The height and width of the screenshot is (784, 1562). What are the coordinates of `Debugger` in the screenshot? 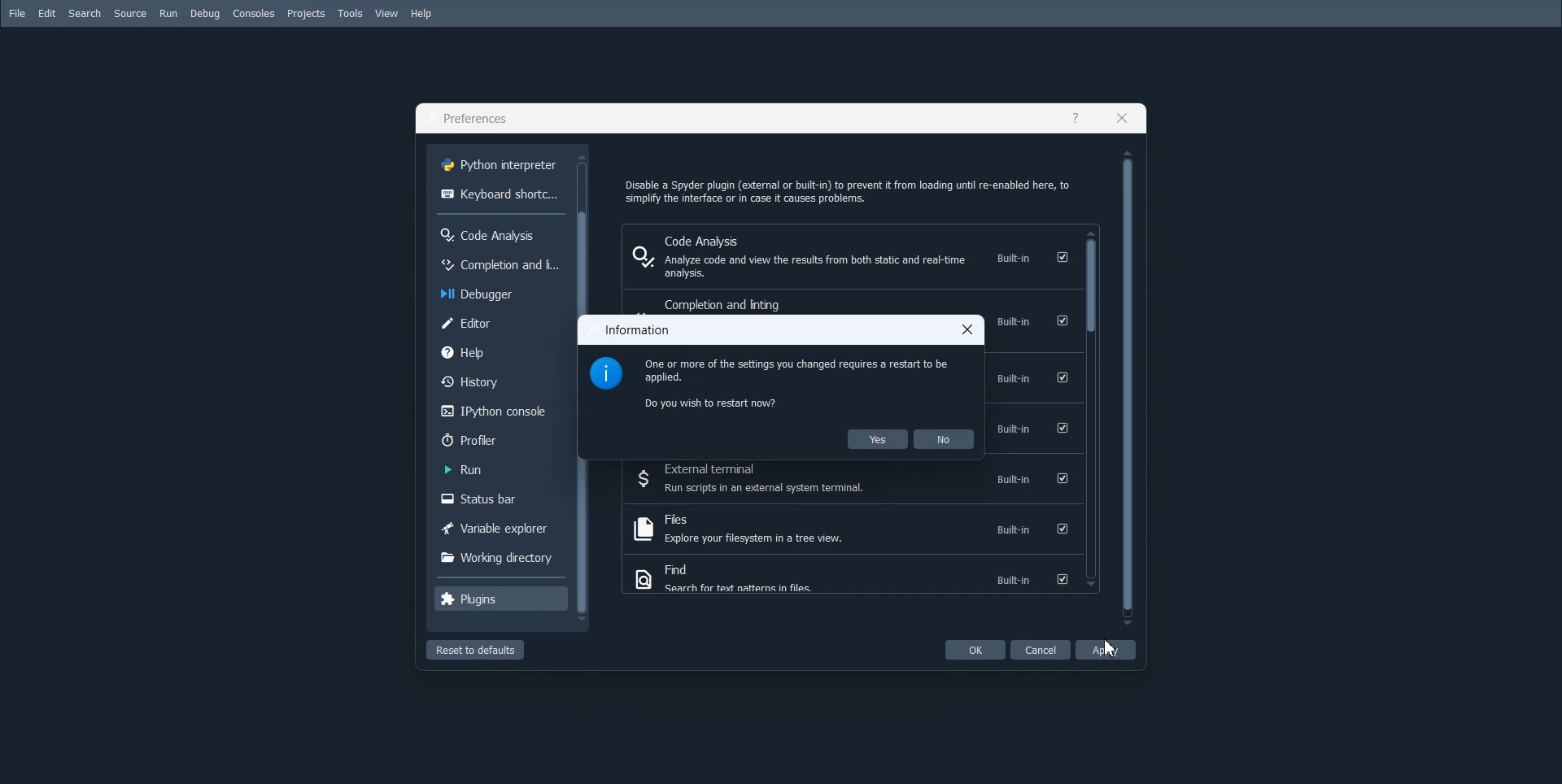 It's located at (498, 292).